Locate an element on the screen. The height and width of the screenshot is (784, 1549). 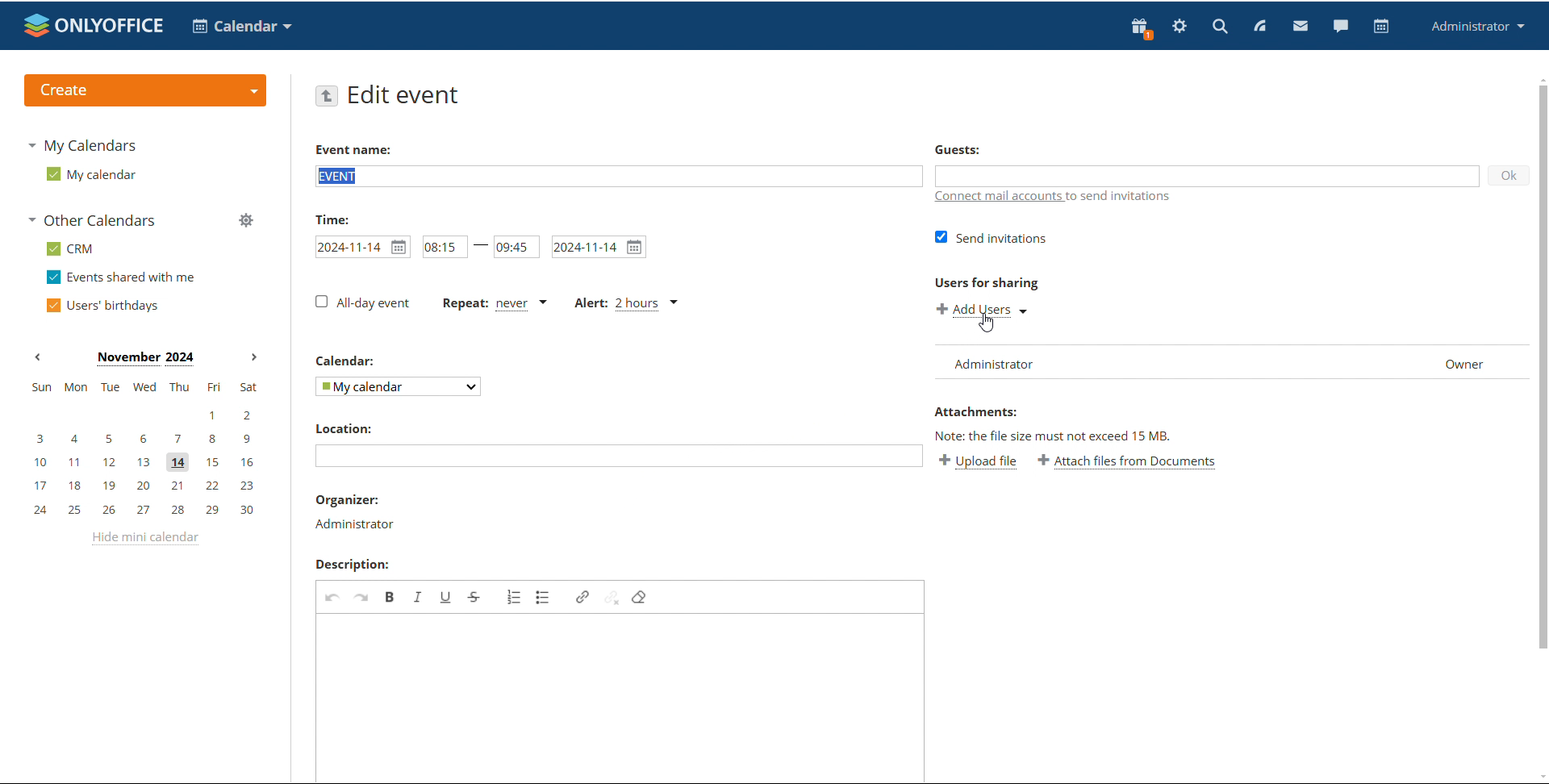
list of users is located at coordinates (1233, 362).